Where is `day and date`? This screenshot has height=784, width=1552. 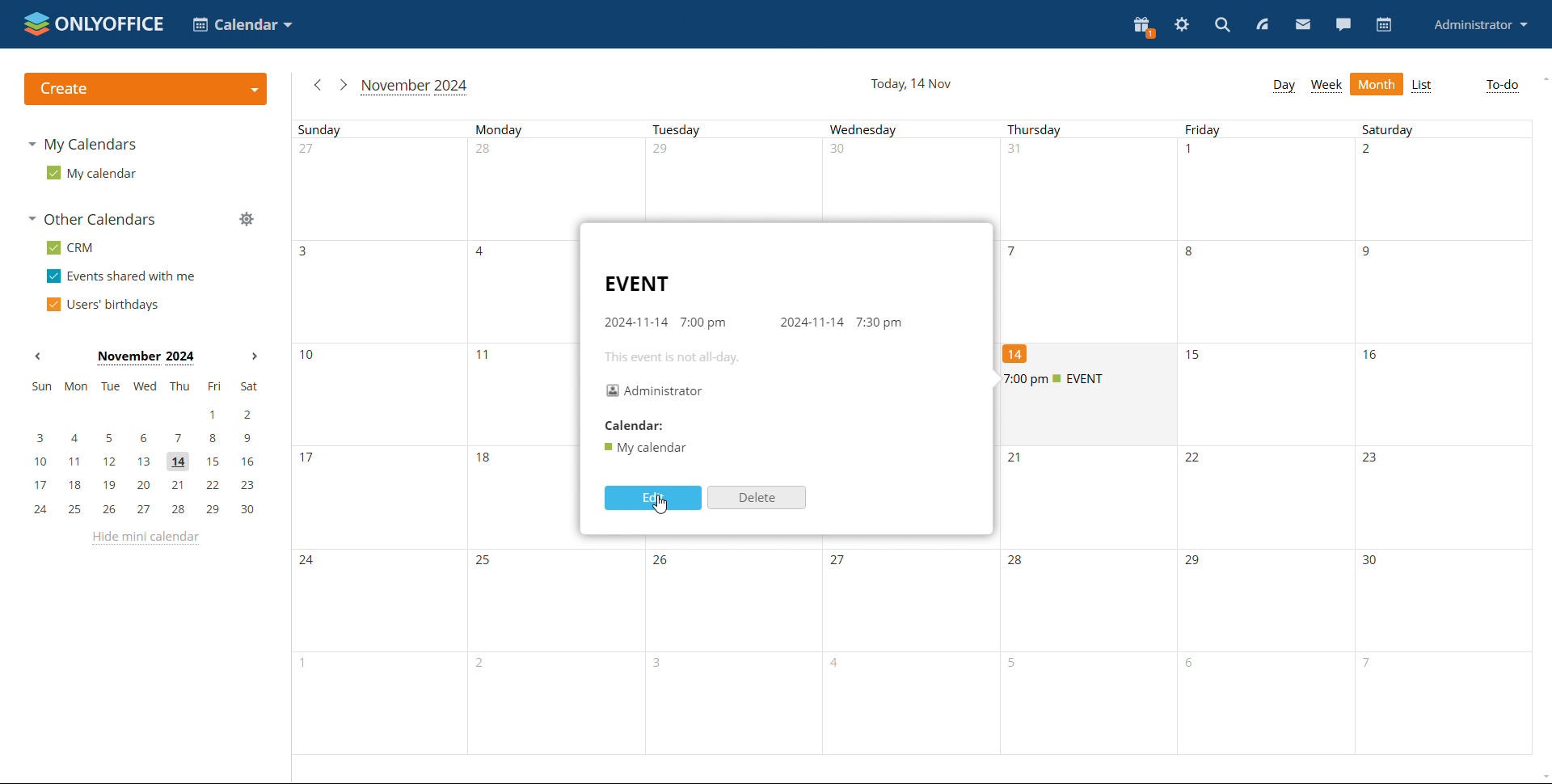 day and date is located at coordinates (916, 84).